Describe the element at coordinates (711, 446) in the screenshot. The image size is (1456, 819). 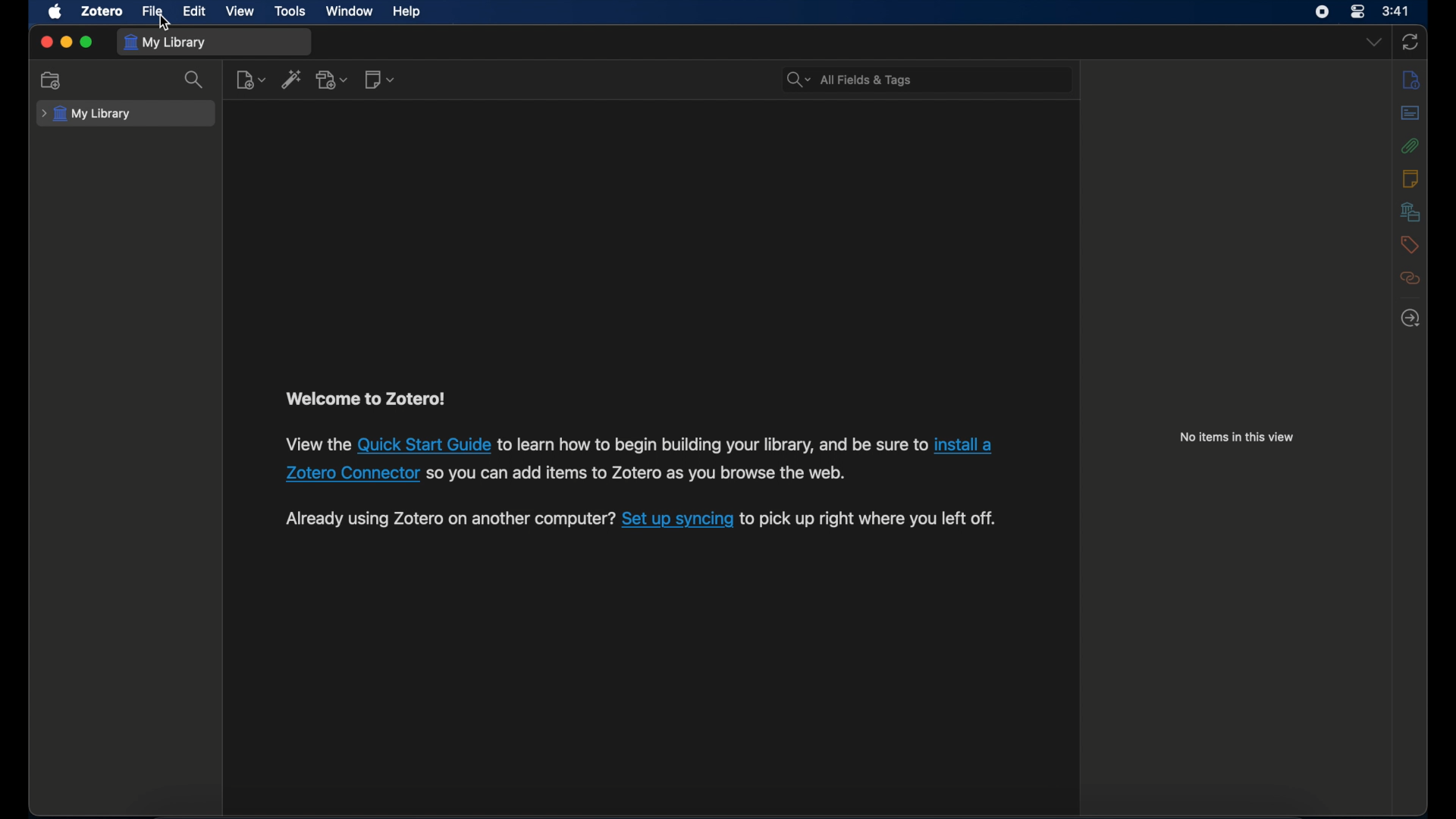
I see `text` at that location.